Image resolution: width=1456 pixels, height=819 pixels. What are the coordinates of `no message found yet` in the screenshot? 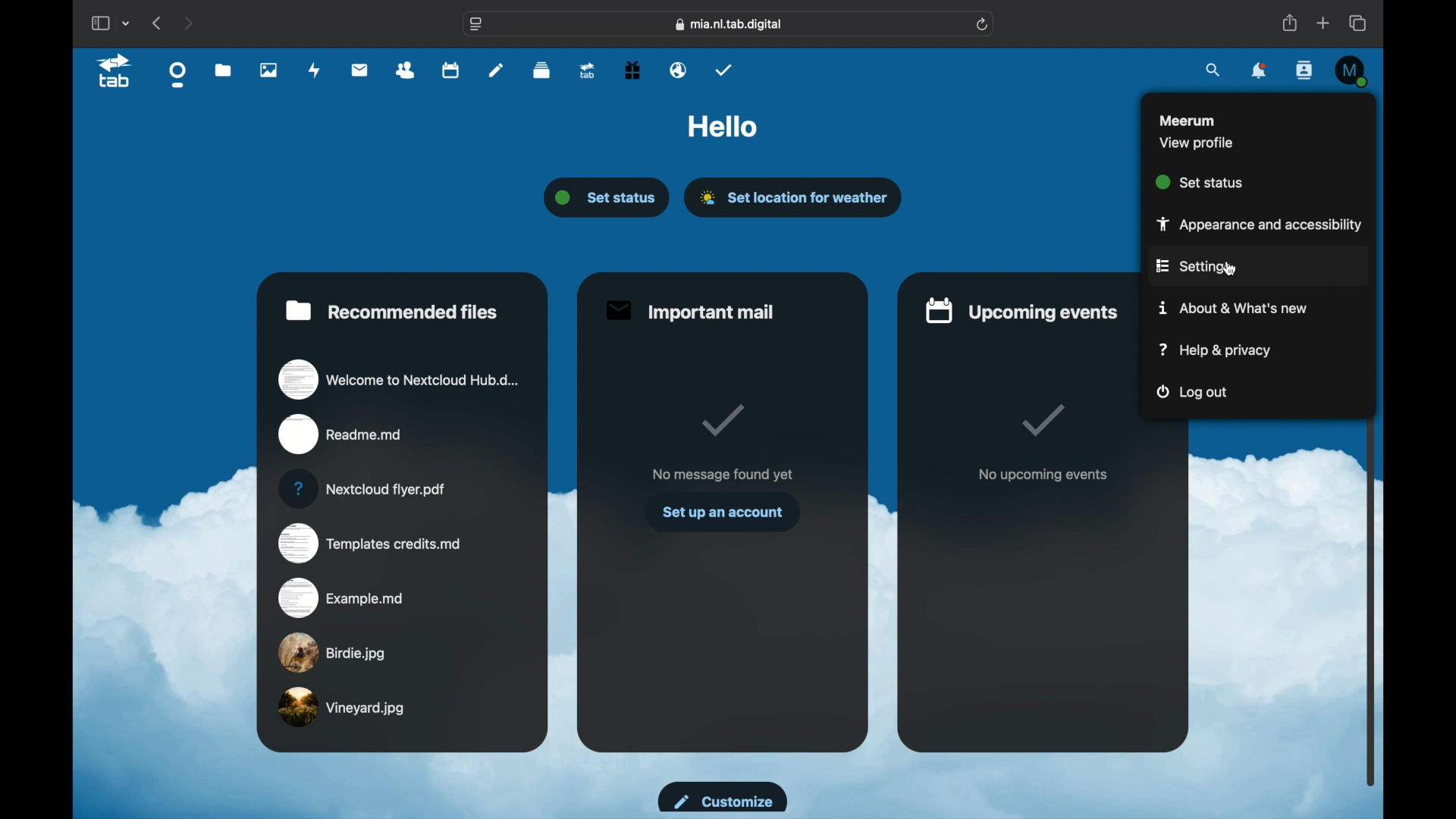 It's located at (722, 474).